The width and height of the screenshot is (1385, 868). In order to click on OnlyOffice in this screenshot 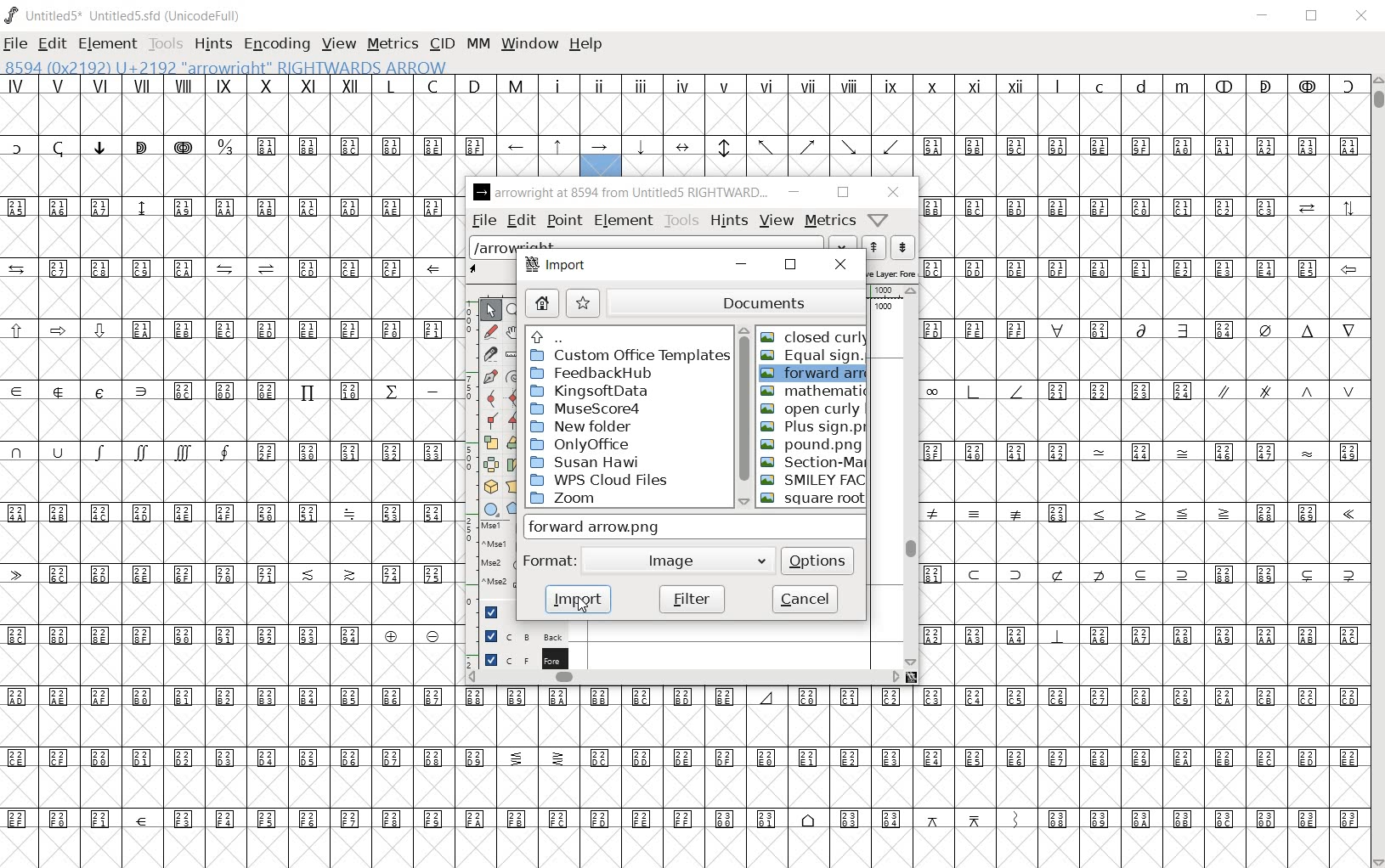, I will do `click(579, 444)`.